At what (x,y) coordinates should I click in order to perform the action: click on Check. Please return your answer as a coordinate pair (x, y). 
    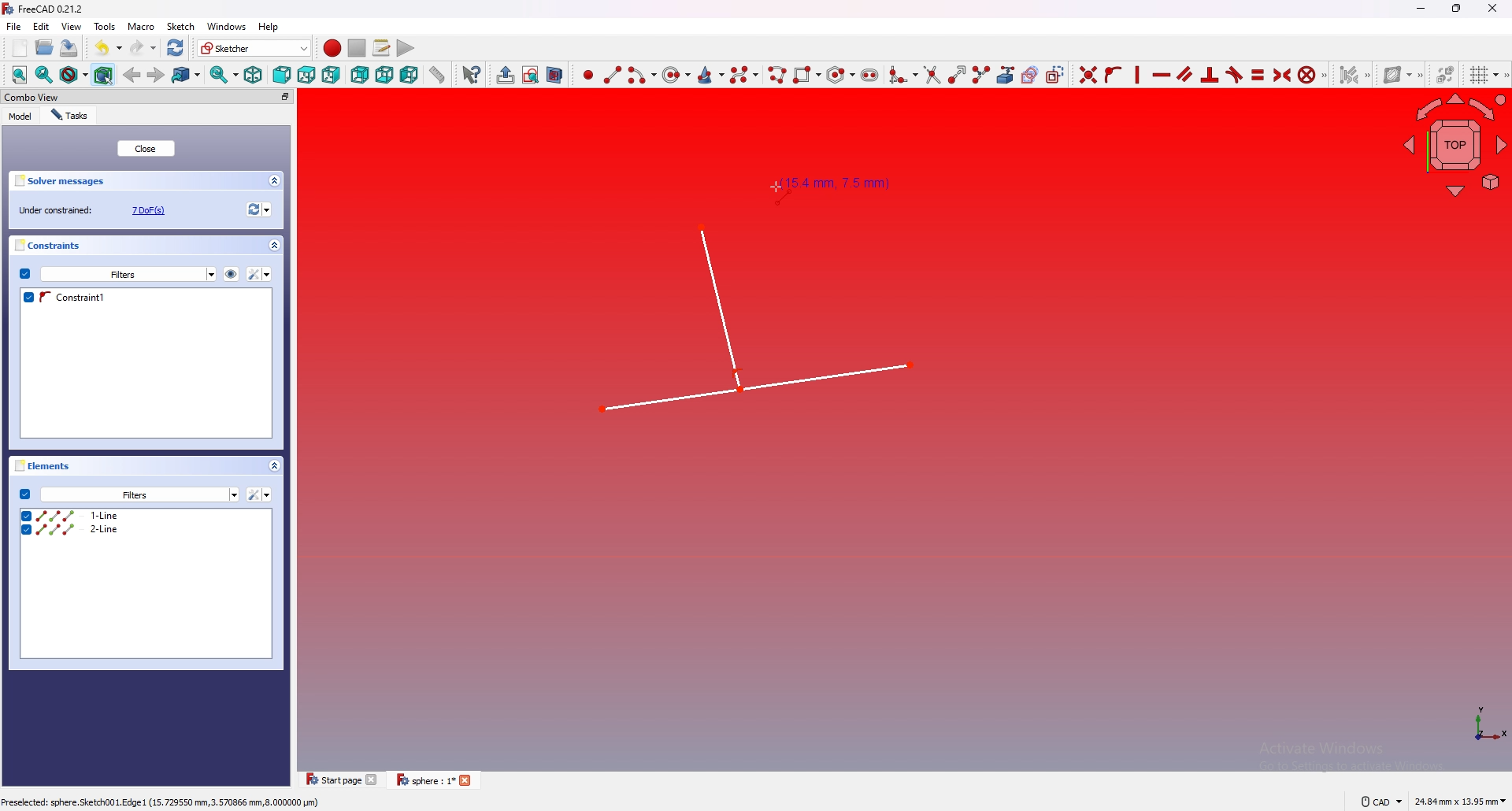
    Looking at the image, I should click on (24, 494).